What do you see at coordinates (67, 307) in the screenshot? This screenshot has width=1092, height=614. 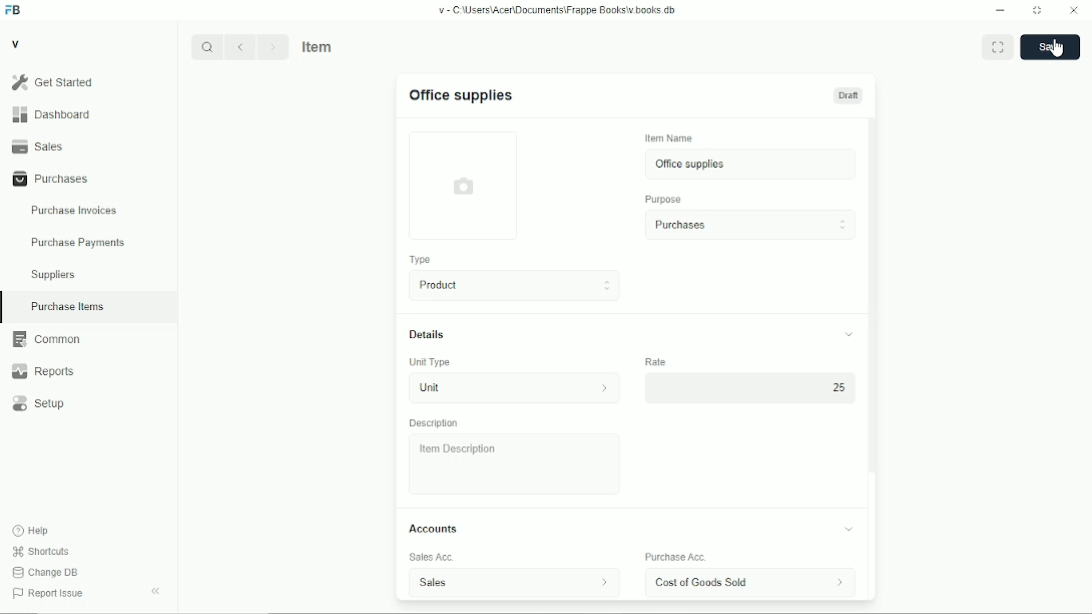 I see `purchase items` at bounding box center [67, 307].